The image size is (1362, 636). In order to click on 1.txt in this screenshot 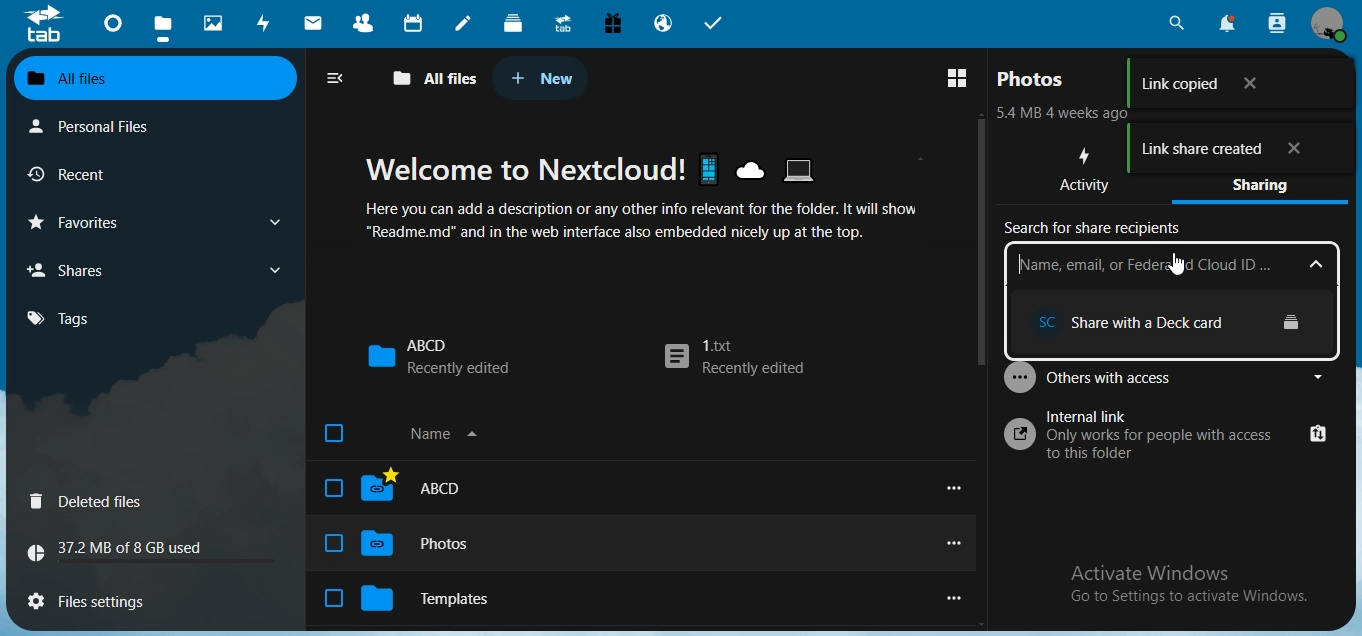, I will do `click(734, 359)`.